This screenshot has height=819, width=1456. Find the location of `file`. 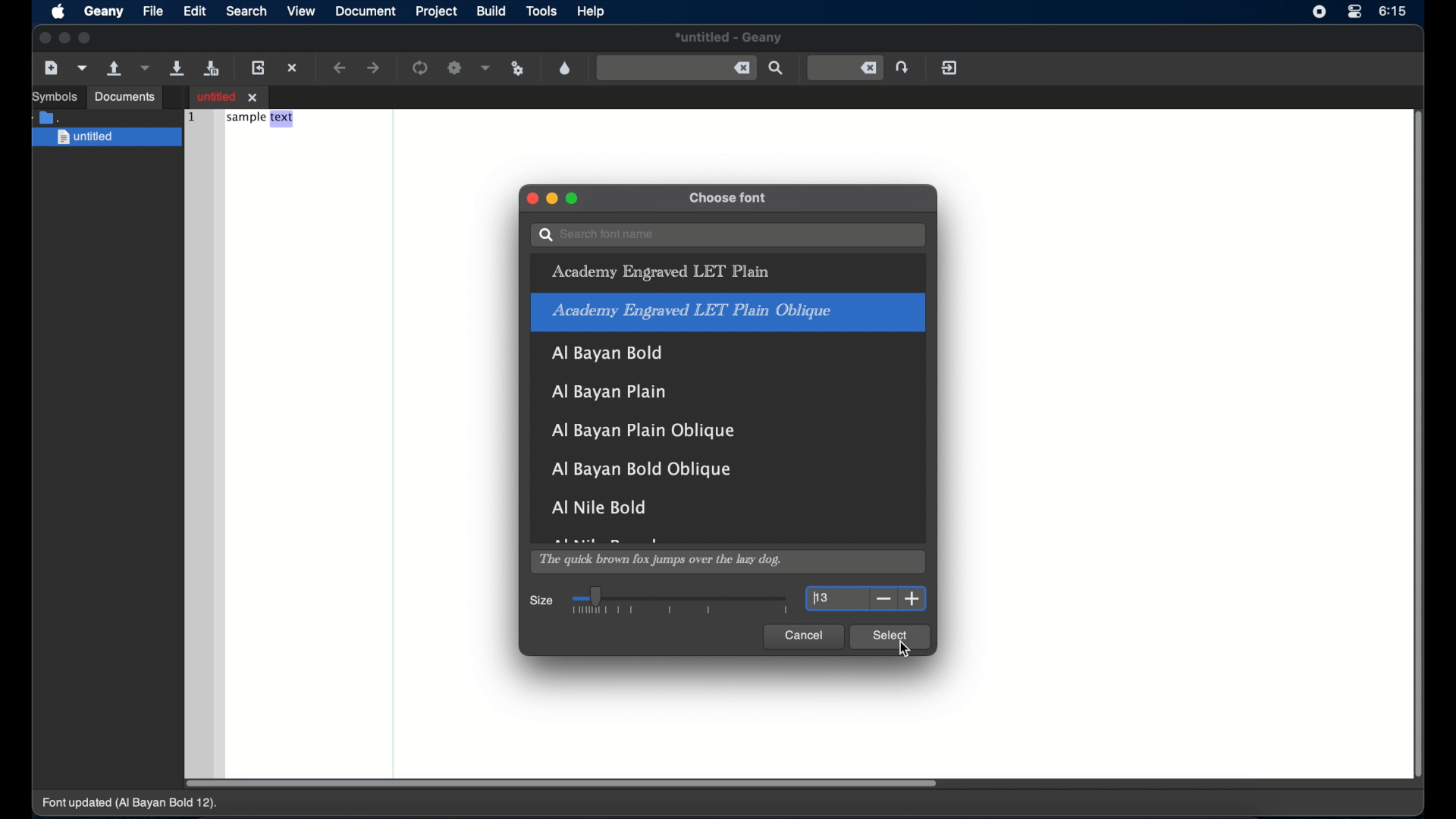

file is located at coordinates (153, 11).